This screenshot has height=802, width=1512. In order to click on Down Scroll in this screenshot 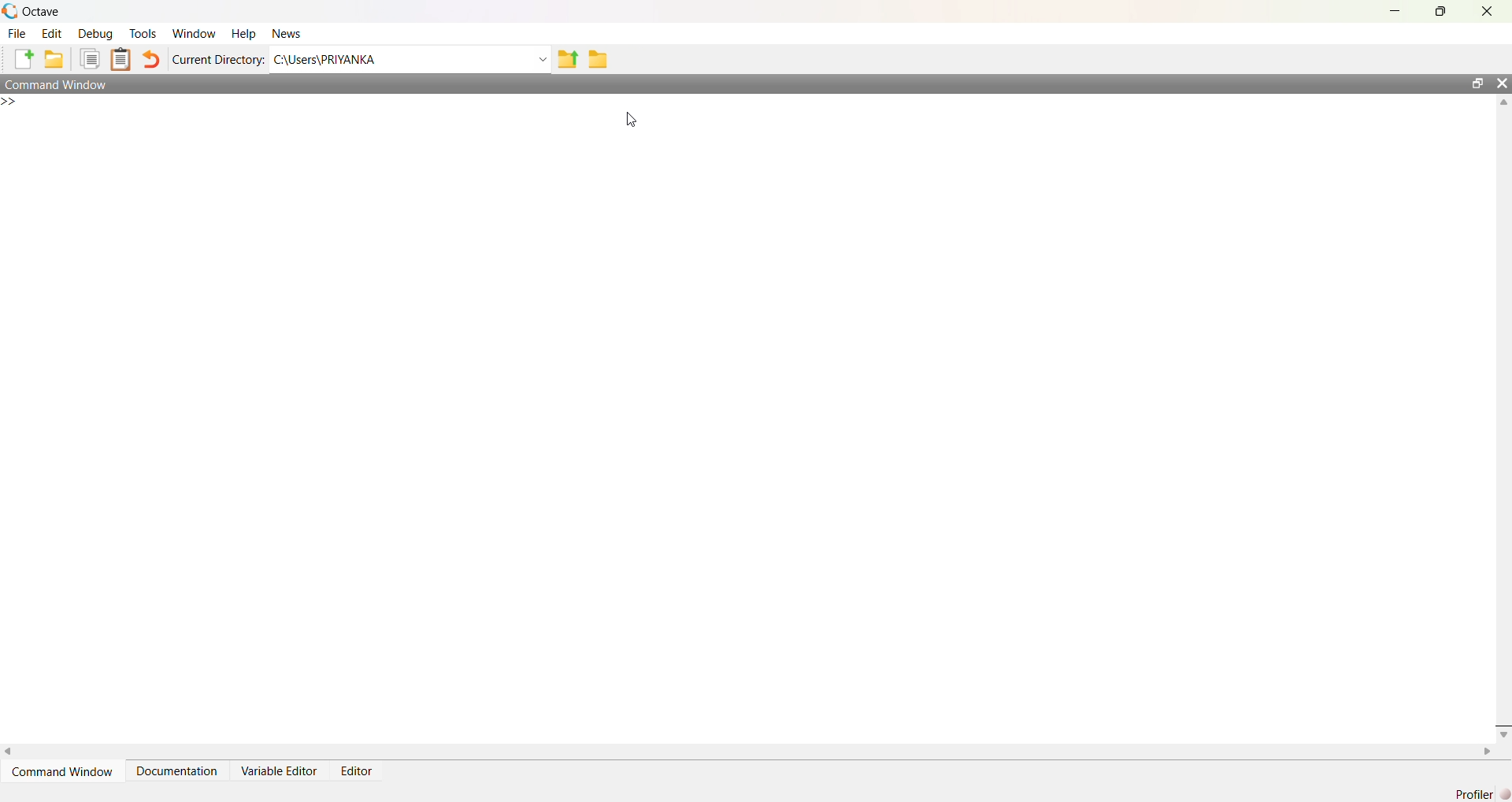, I will do `click(1503, 736)`.